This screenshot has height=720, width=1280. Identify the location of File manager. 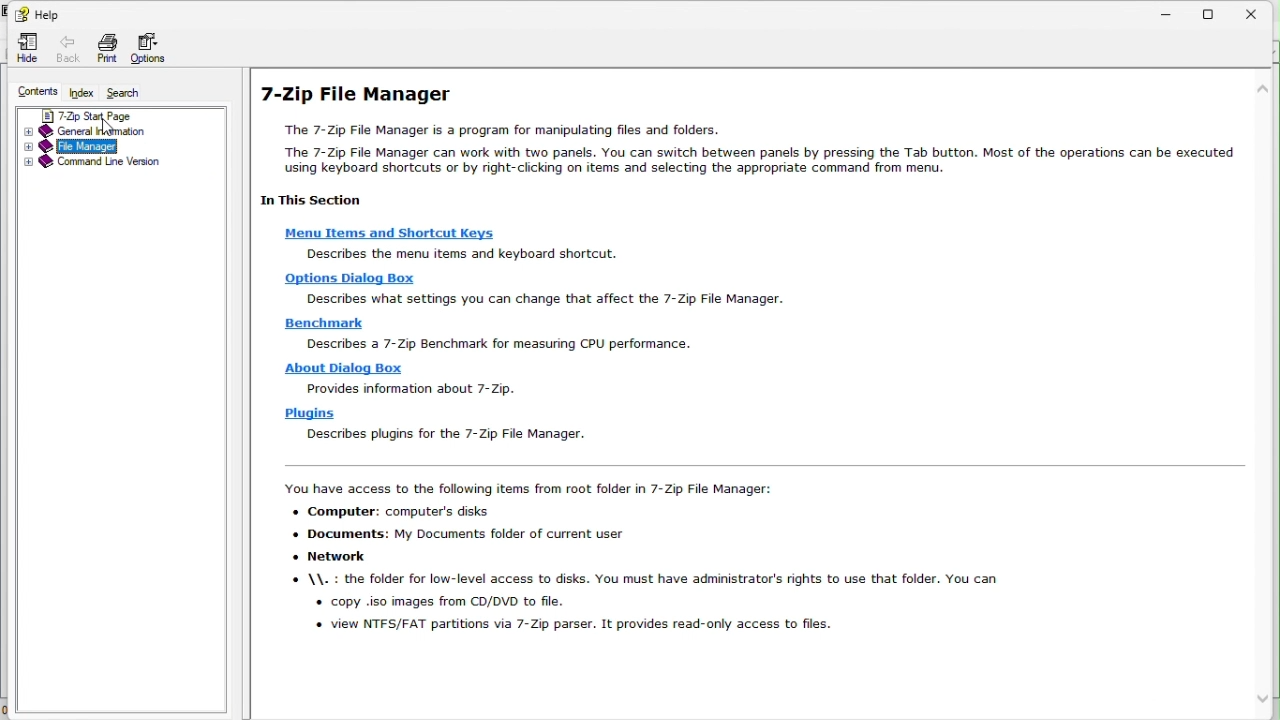
(113, 148).